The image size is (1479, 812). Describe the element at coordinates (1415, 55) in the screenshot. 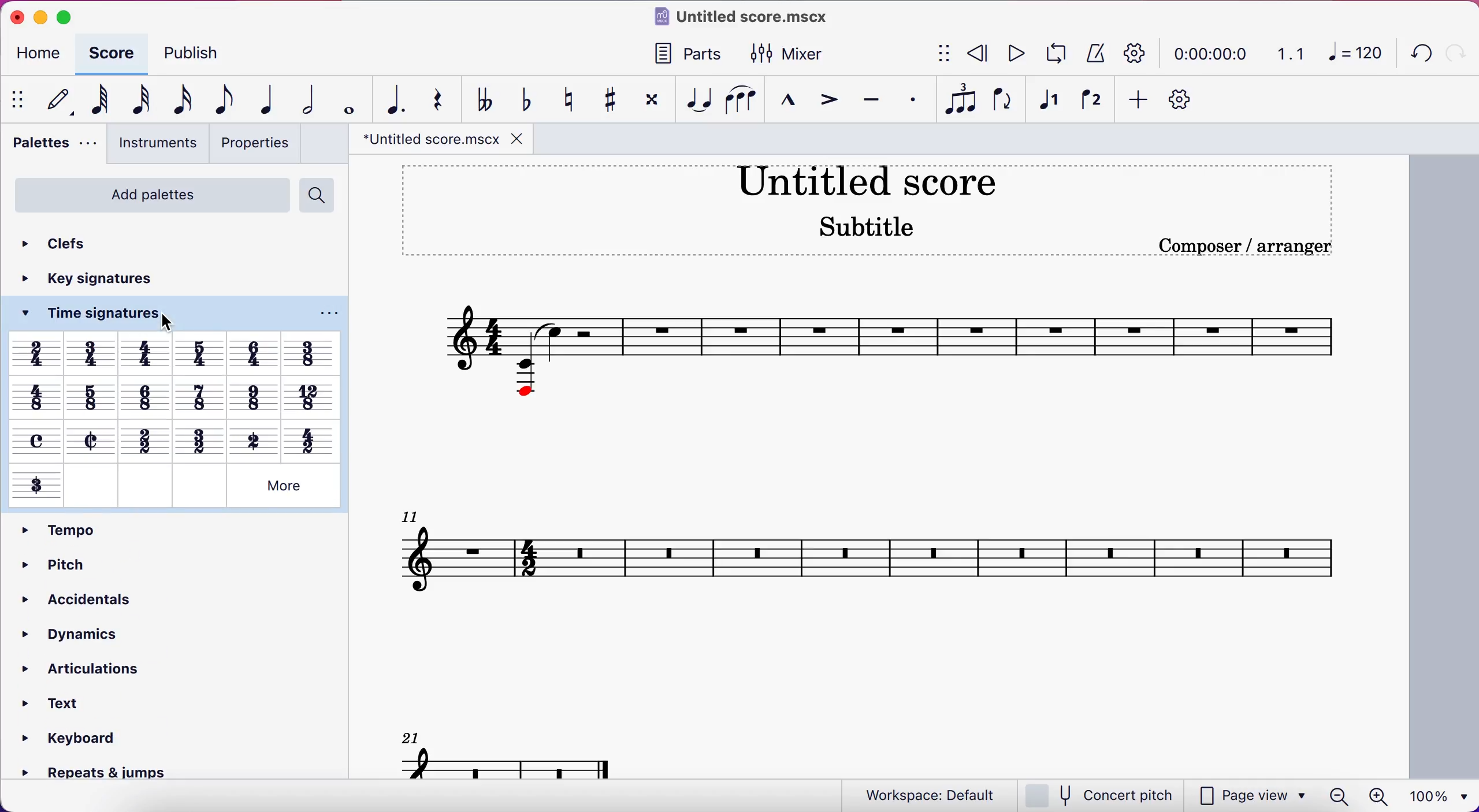

I see `undo` at that location.